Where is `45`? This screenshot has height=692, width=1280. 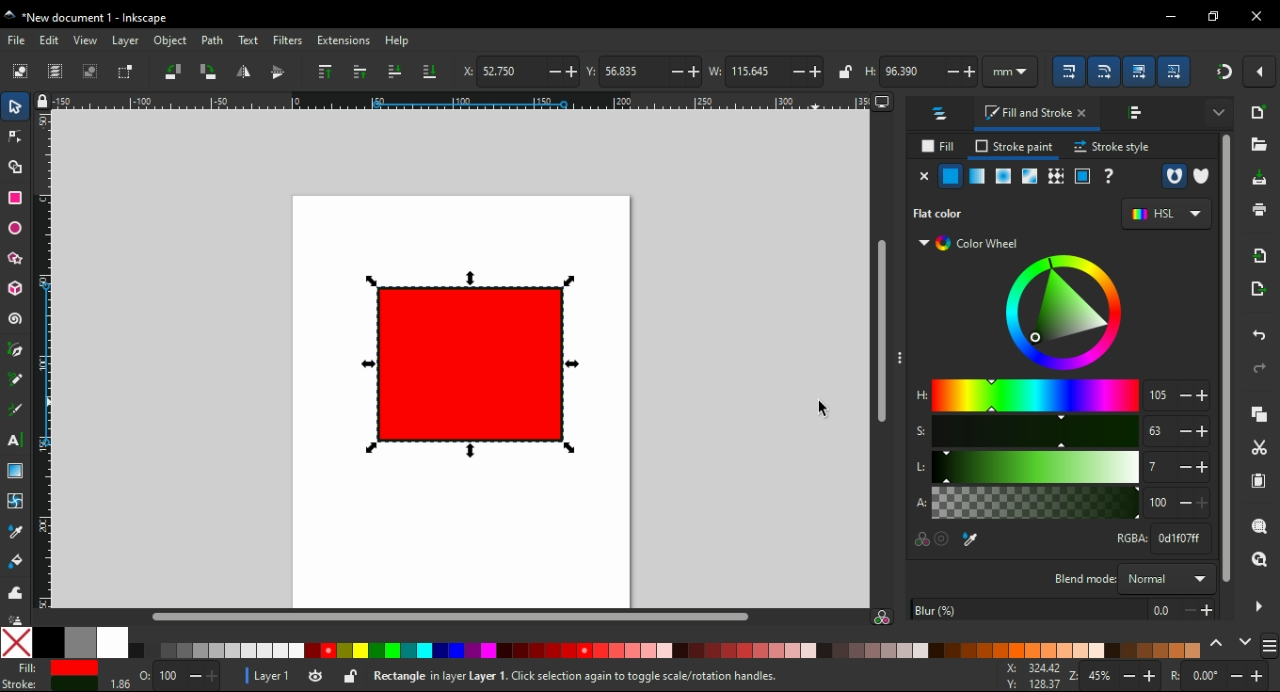 45 is located at coordinates (1101, 677).